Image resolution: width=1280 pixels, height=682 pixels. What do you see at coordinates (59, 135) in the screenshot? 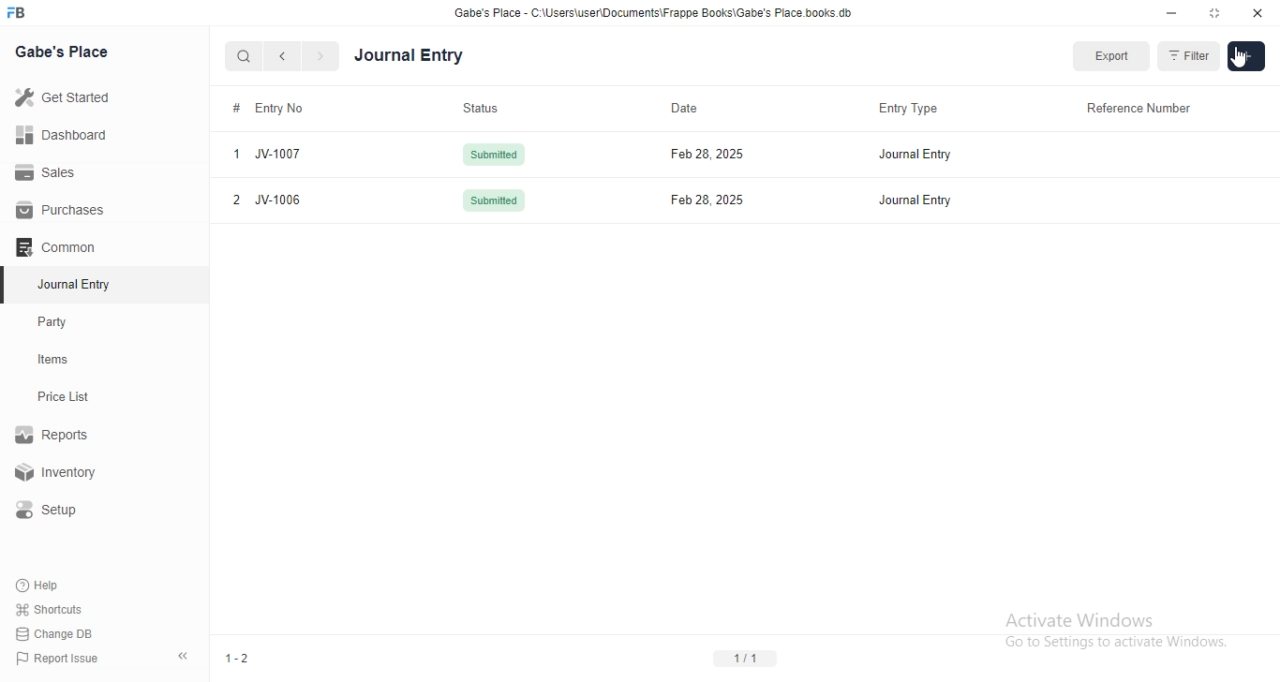
I see `Dashboard` at bounding box center [59, 135].